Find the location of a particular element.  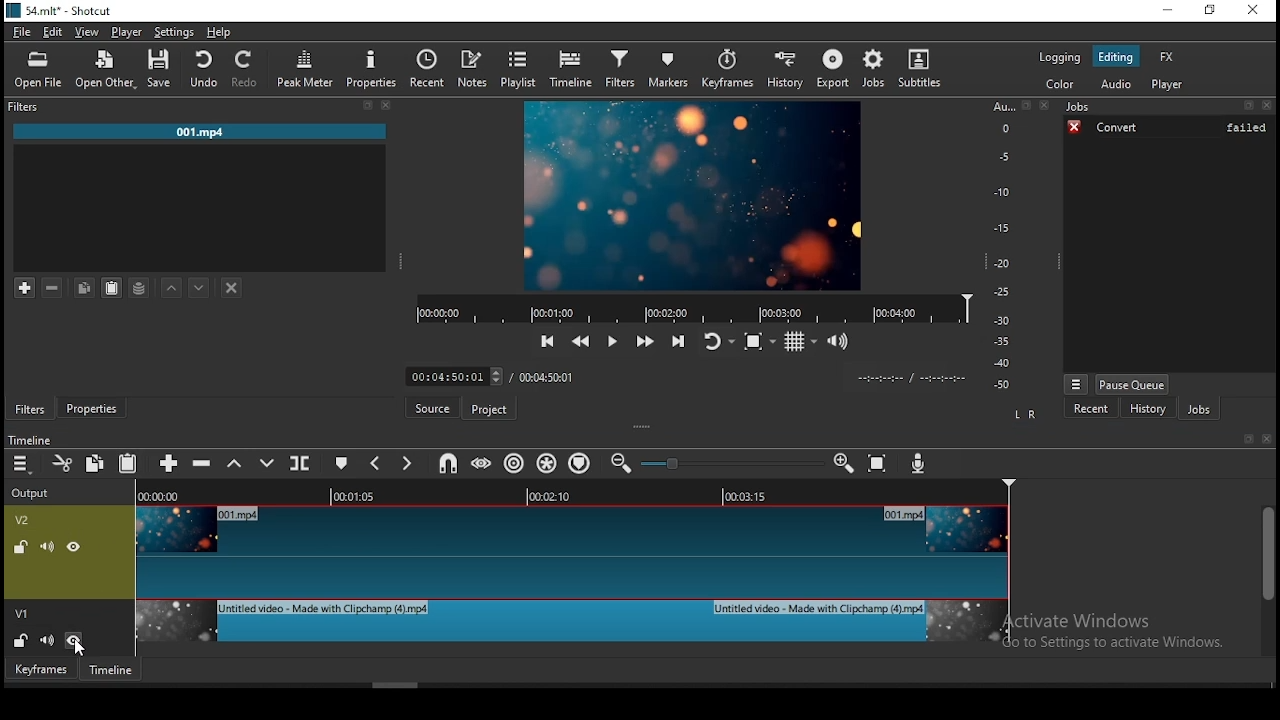

color is located at coordinates (1061, 83).